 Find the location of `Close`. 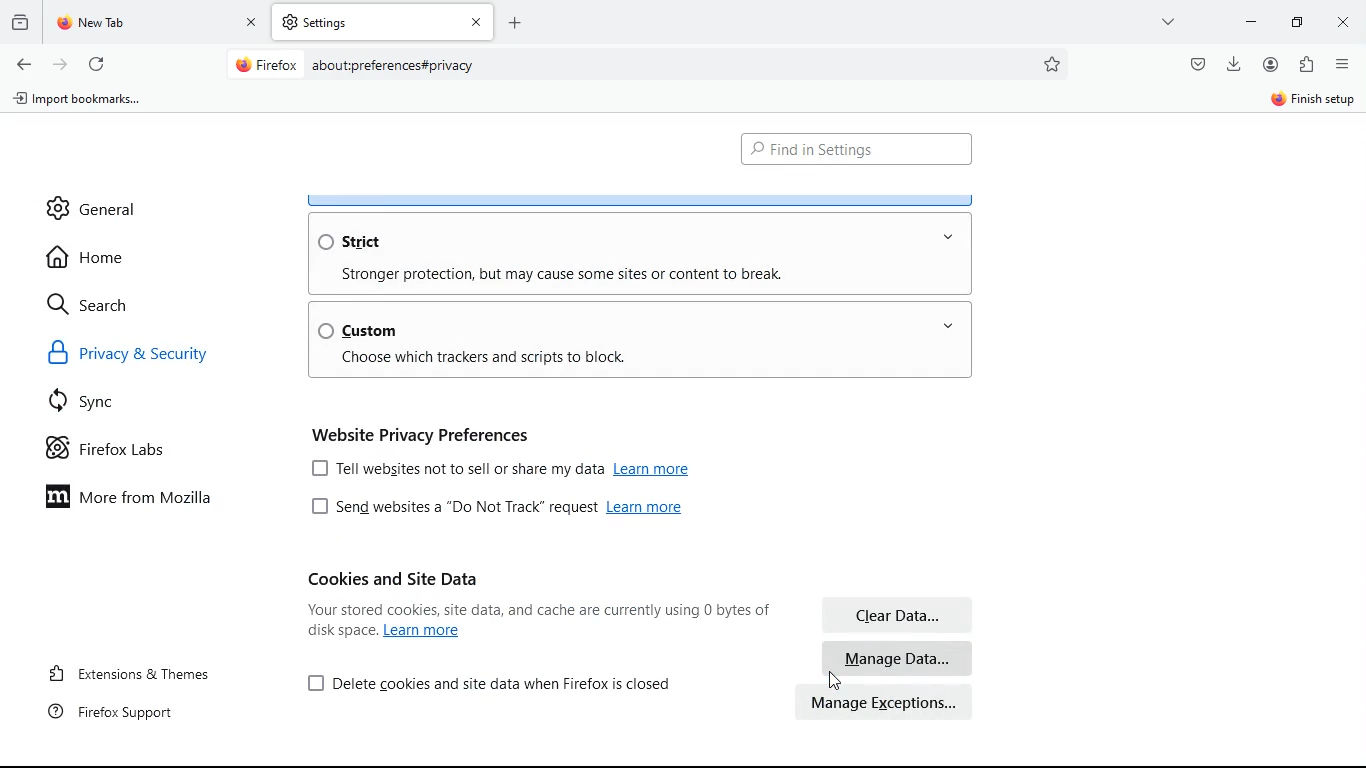

Close is located at coordinates (1344, 21).